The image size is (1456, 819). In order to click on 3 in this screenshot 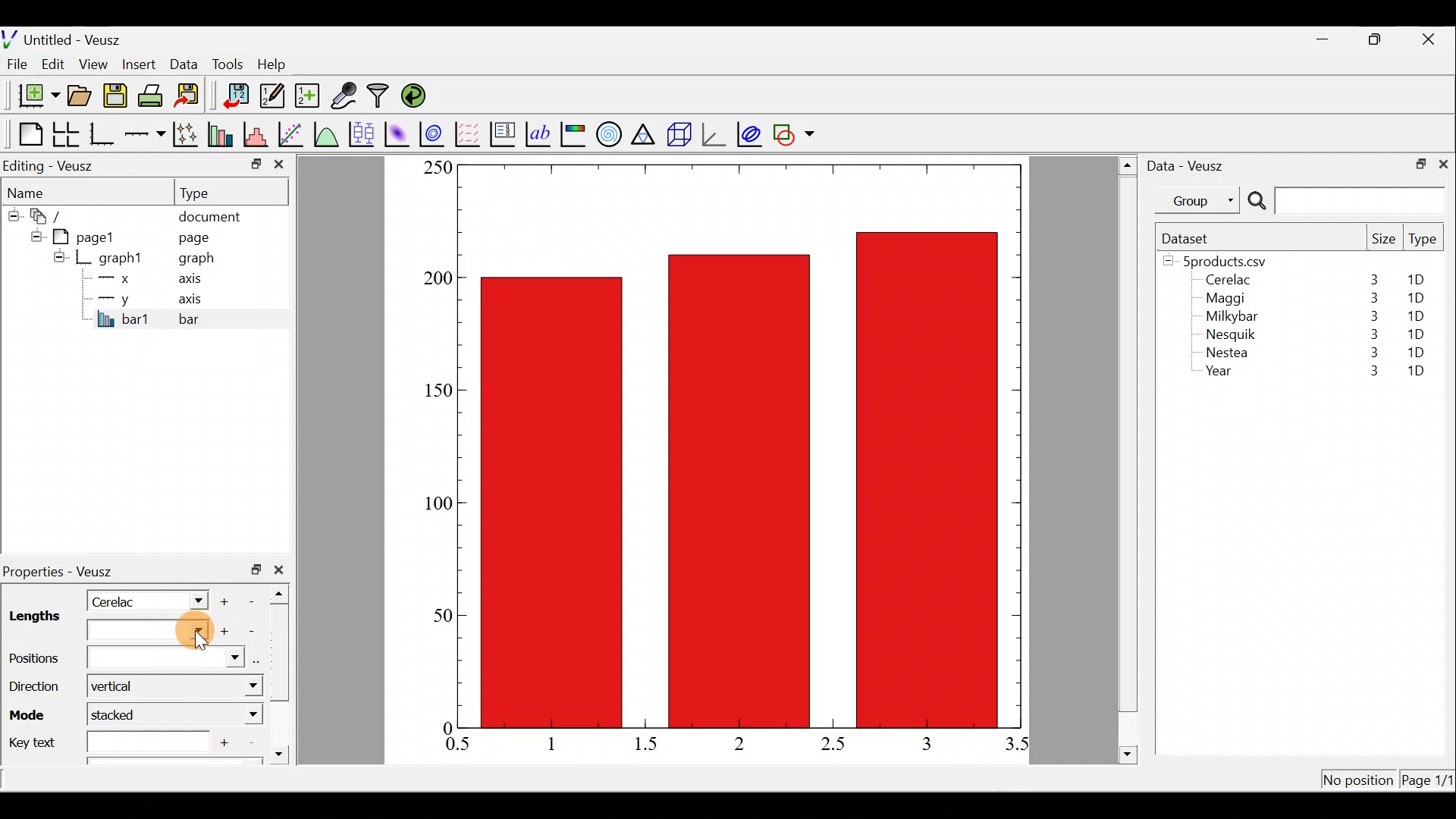, I will do `click(1371, 316)`.